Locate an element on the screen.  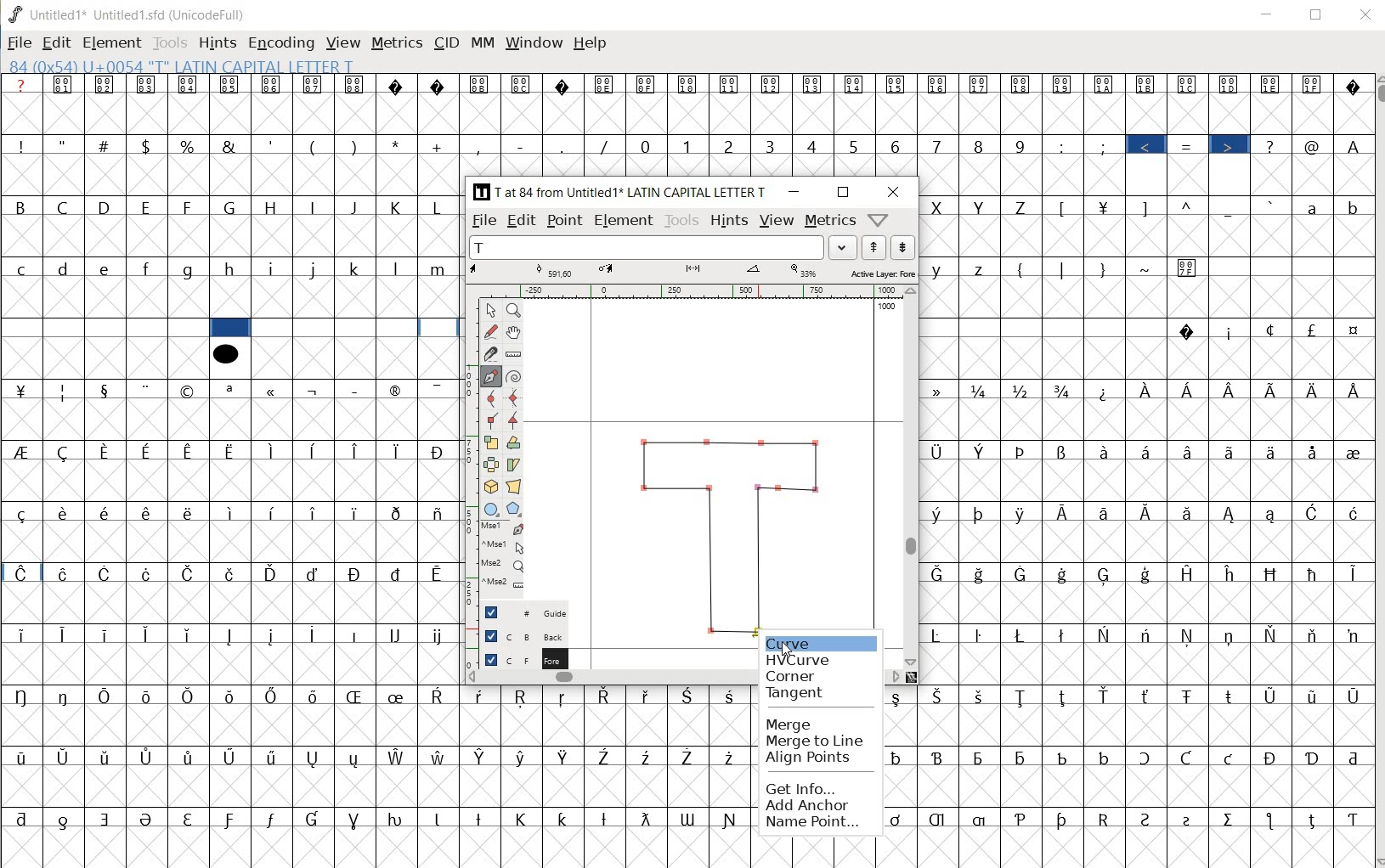
Symbol is located at coordinates (983, 575).